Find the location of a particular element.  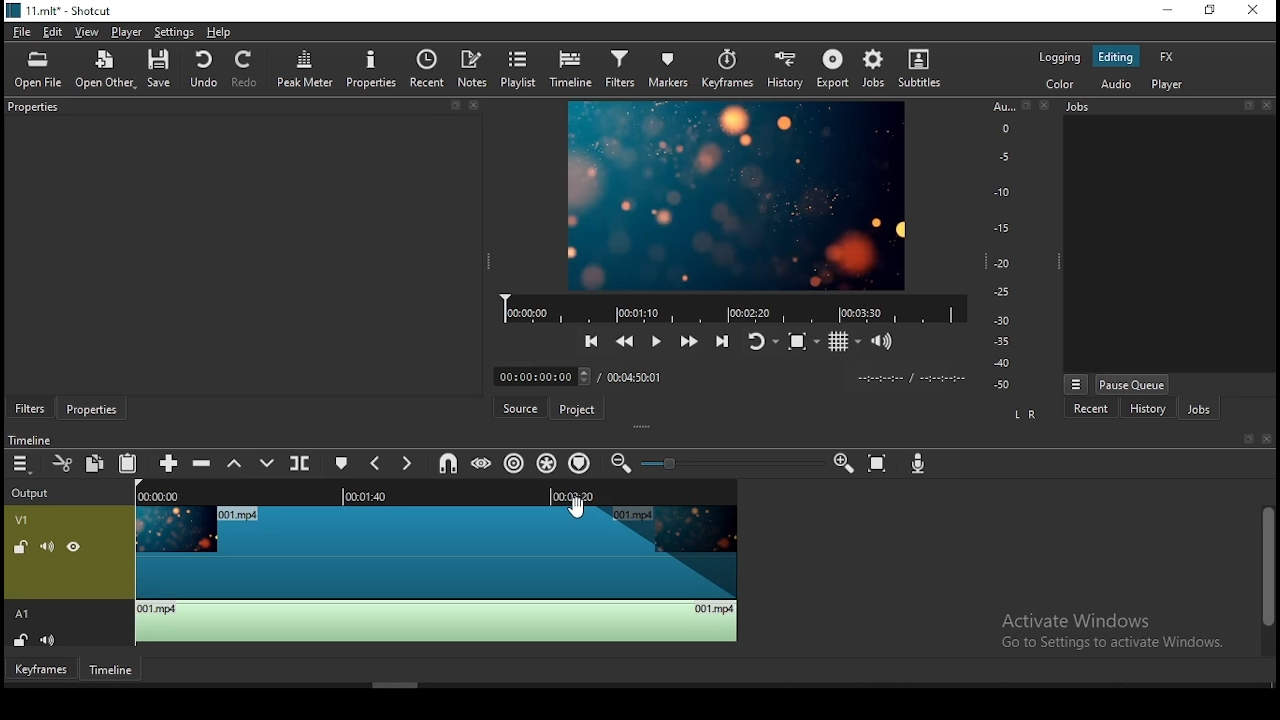

skip to previous point is located at coordinates (592, 341).